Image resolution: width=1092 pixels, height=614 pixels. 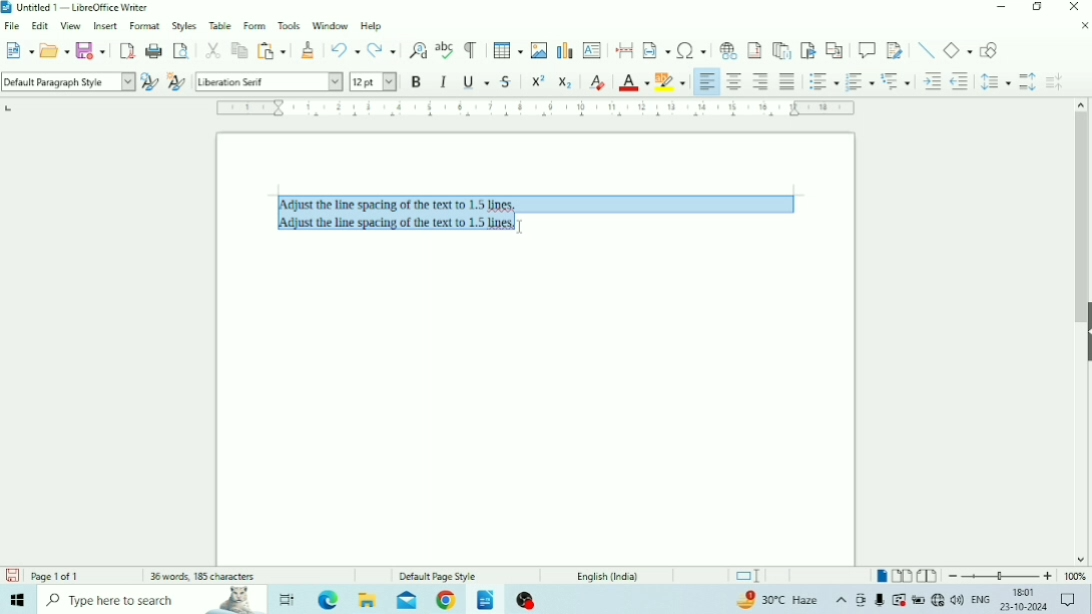 I want to click on Export as PDF, so click(x=126, y=51).